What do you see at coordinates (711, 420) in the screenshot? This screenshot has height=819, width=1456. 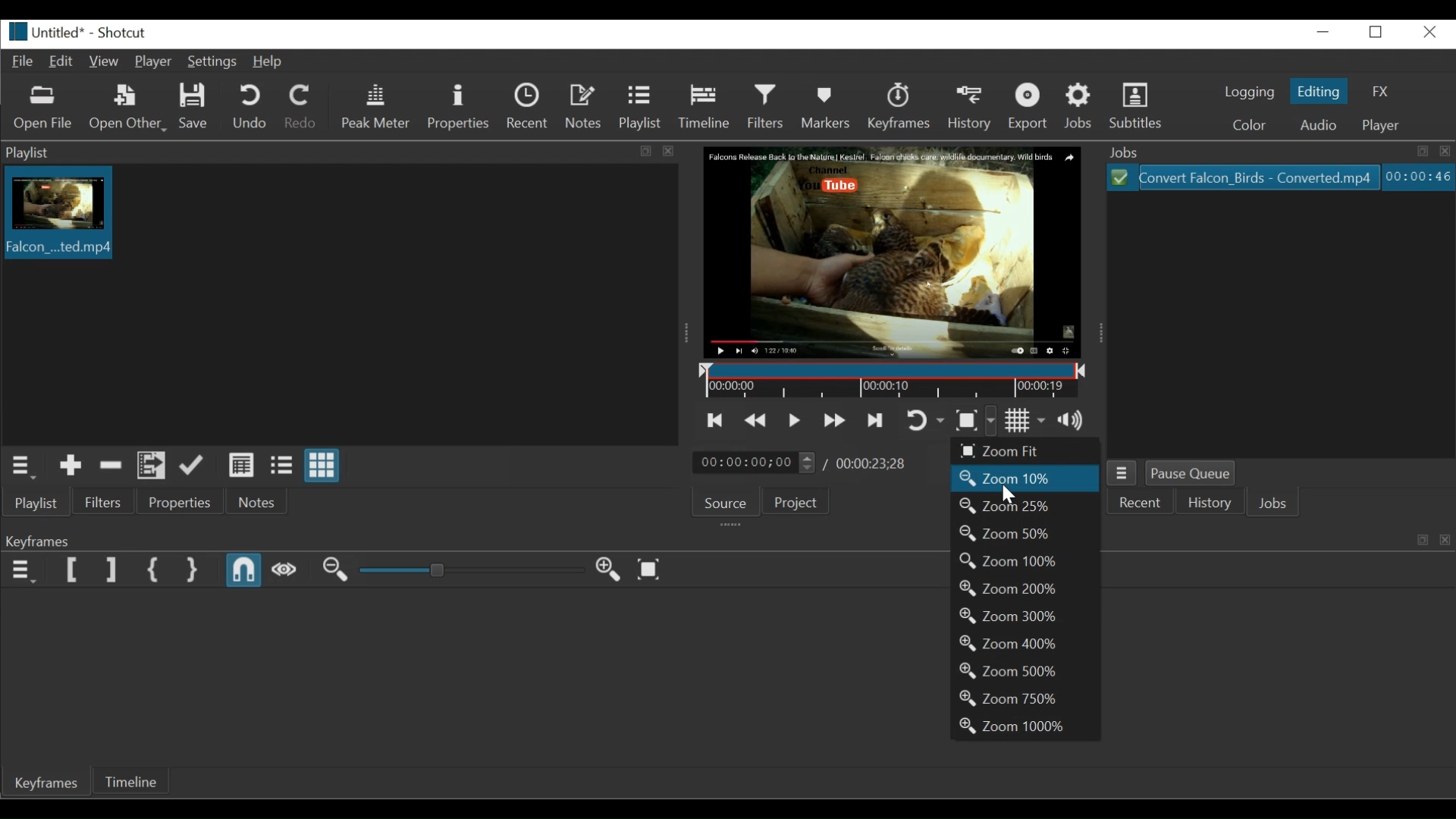 I see `Skip to the previous point` at bounding box center [711, 420].